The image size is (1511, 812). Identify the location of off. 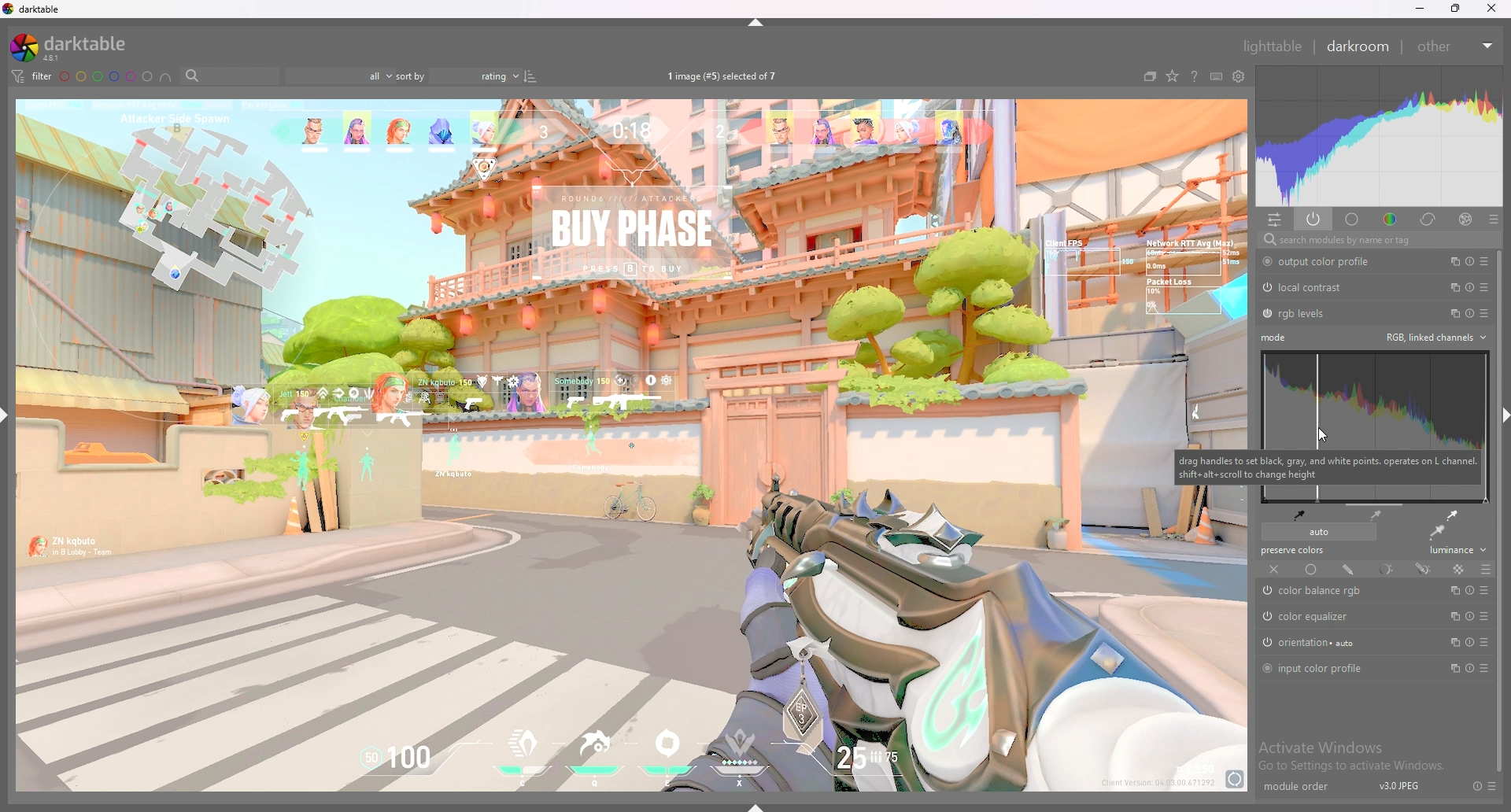
(1275, 570).